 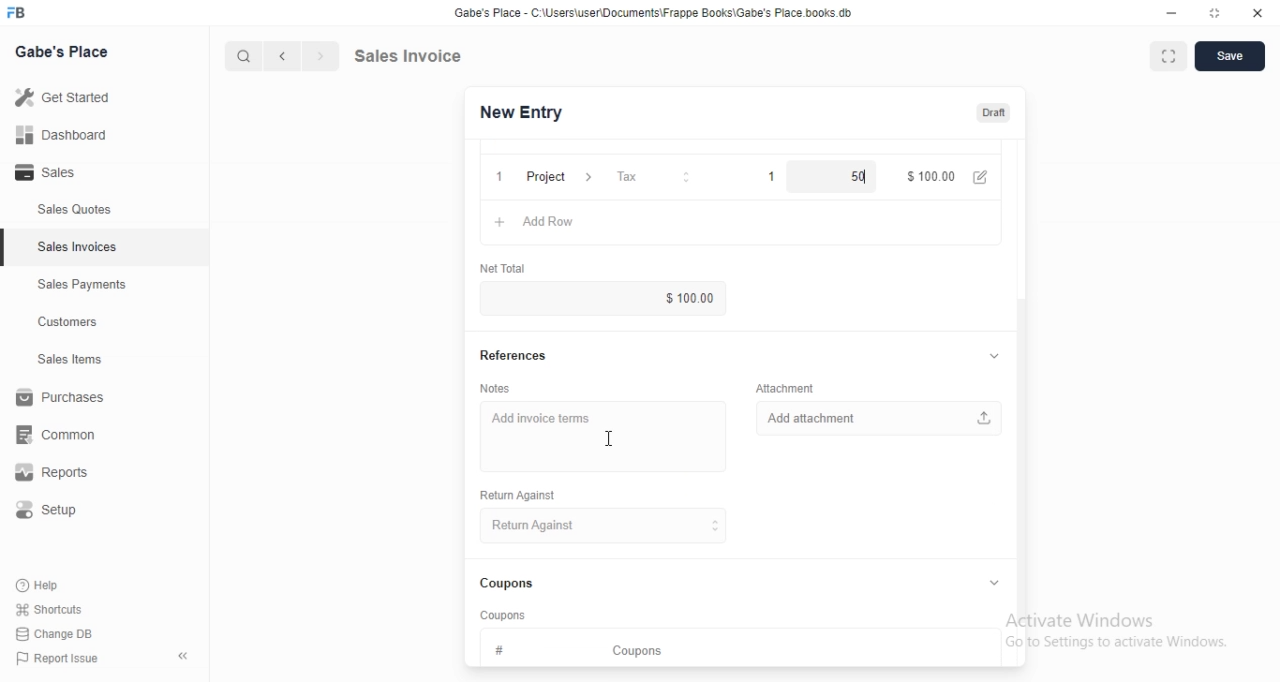 I want to click on References, so click(x=515, y=354).